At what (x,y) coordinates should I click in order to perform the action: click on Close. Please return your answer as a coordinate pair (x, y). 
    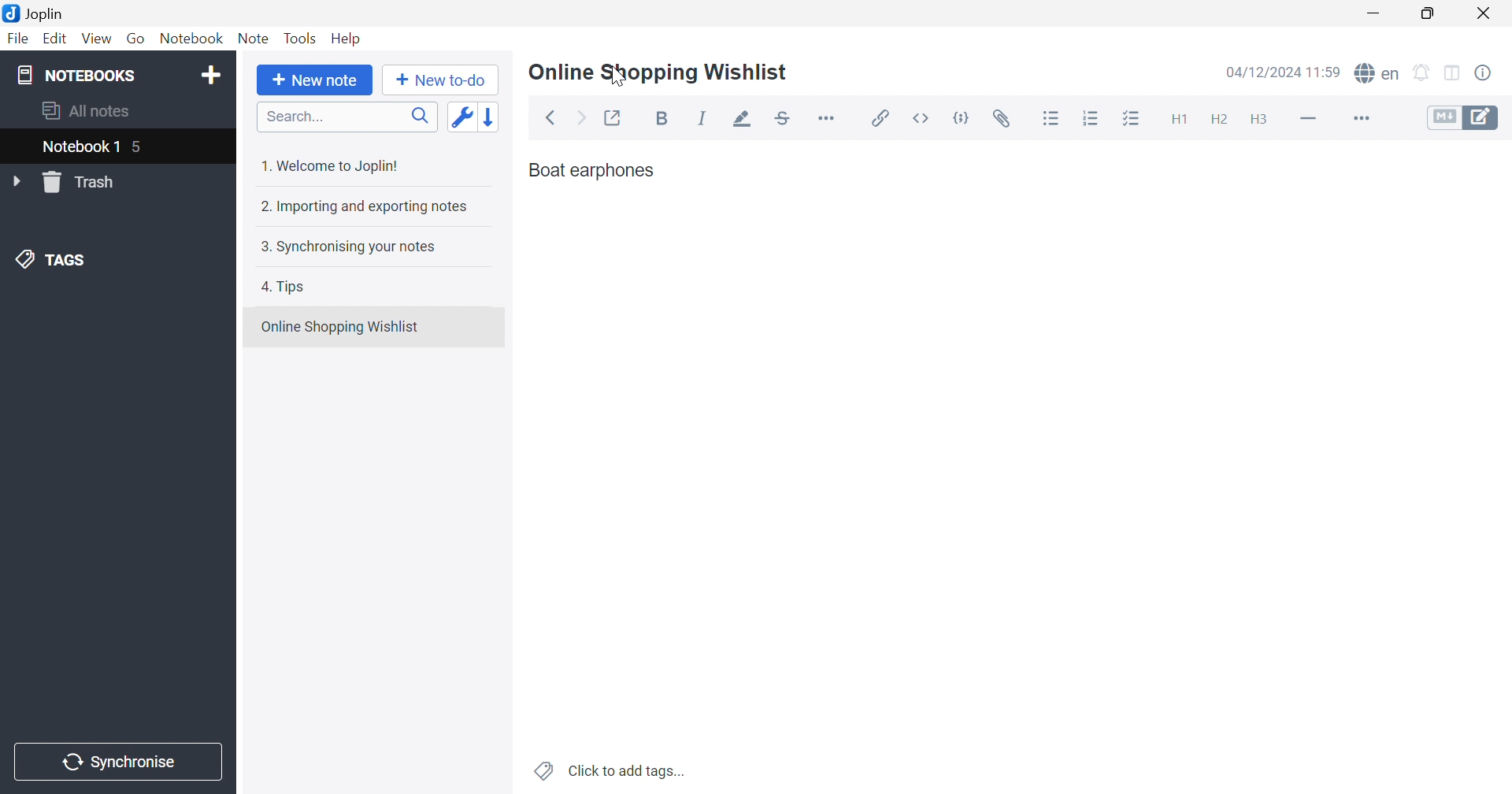
    Looking at the image, I should click on (1485, 12).